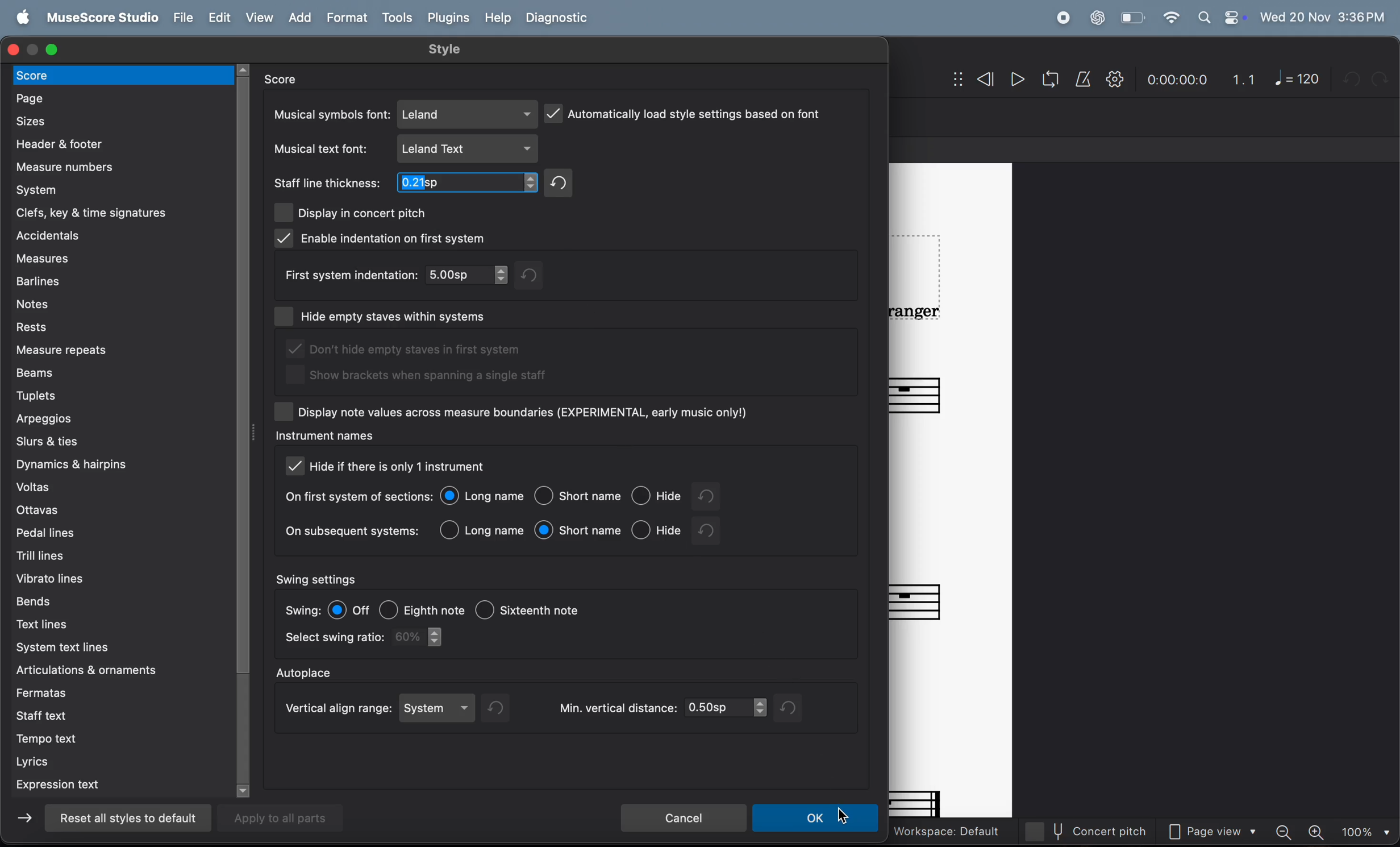  I want to click on apple widgets, so click(1221, 18).